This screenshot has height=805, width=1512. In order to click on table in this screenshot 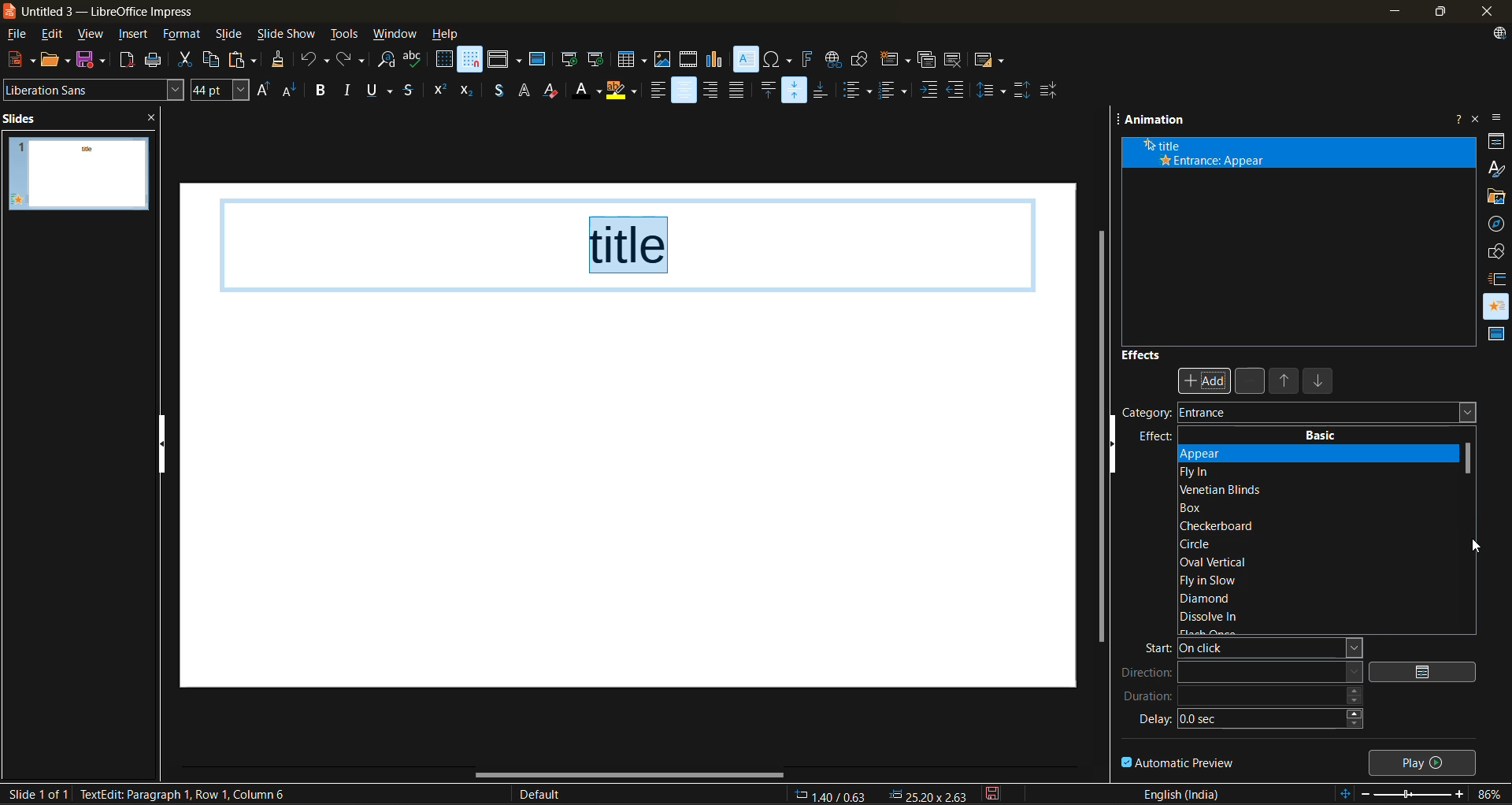, I will do `click(632, 59)`.